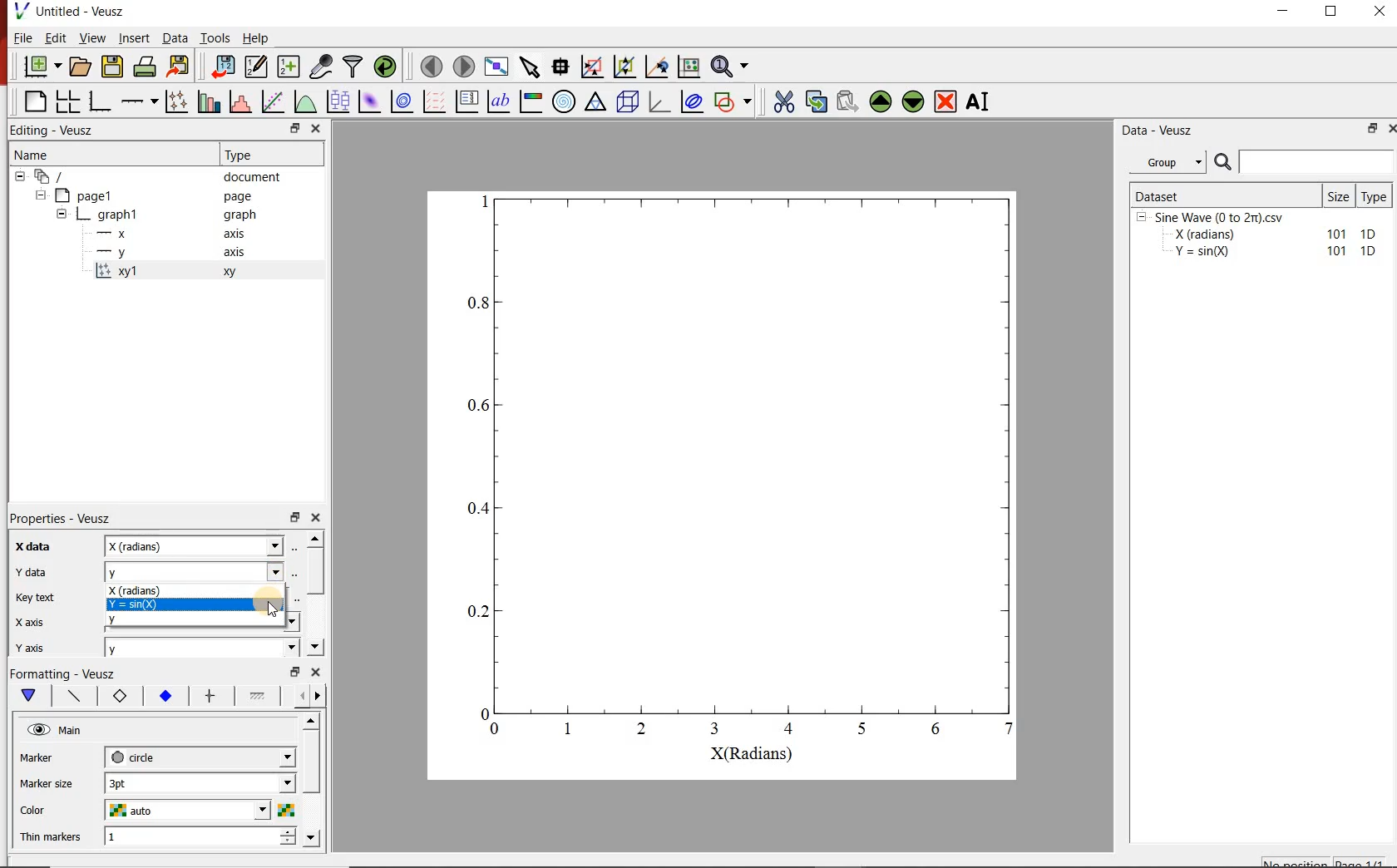 The height and width of the screenshot is (868, 1397). Describe the element at coordinates (270, 609) in the screenshot. I see `Cursor` at that location.